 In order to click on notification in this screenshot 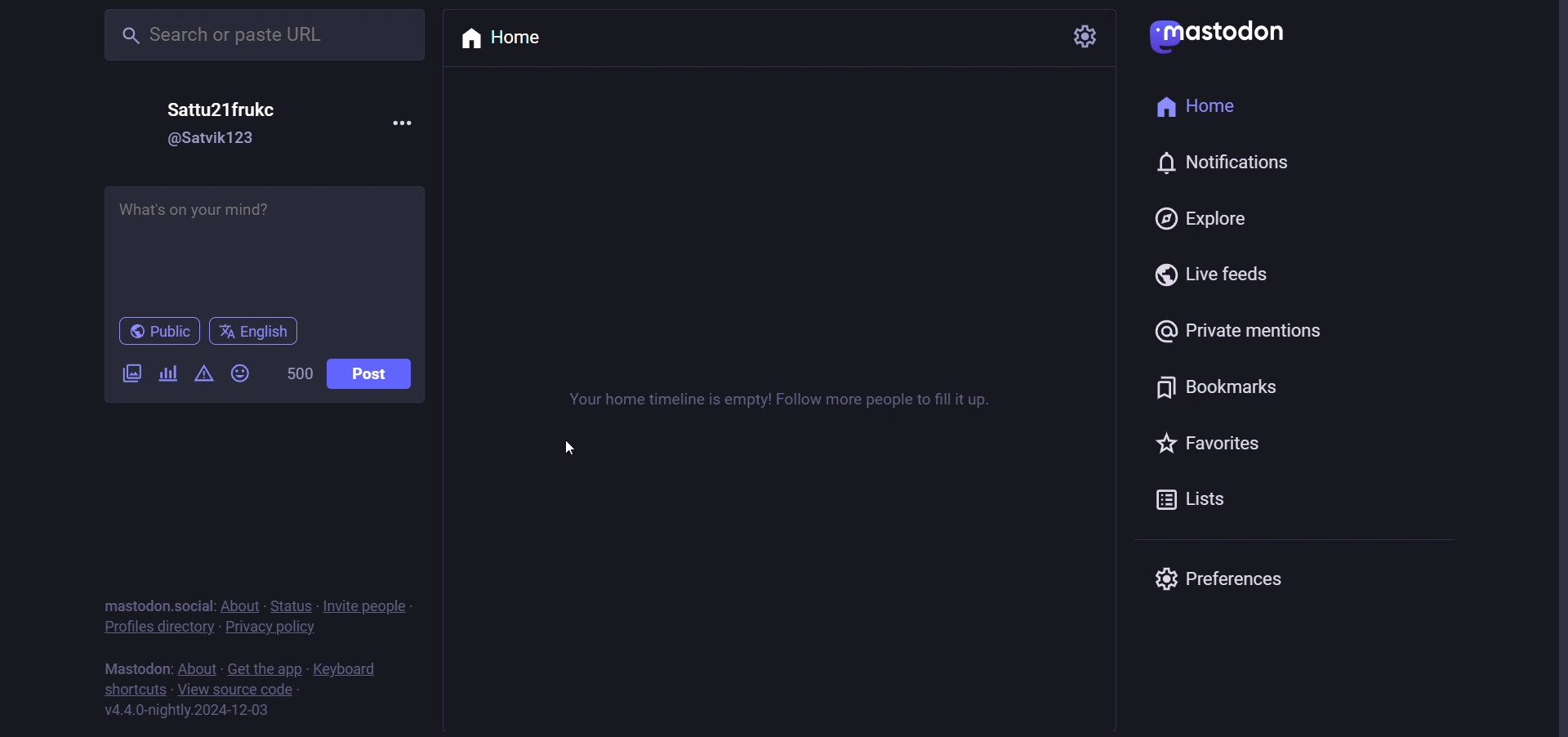, I will do `click(1229, 161)`.